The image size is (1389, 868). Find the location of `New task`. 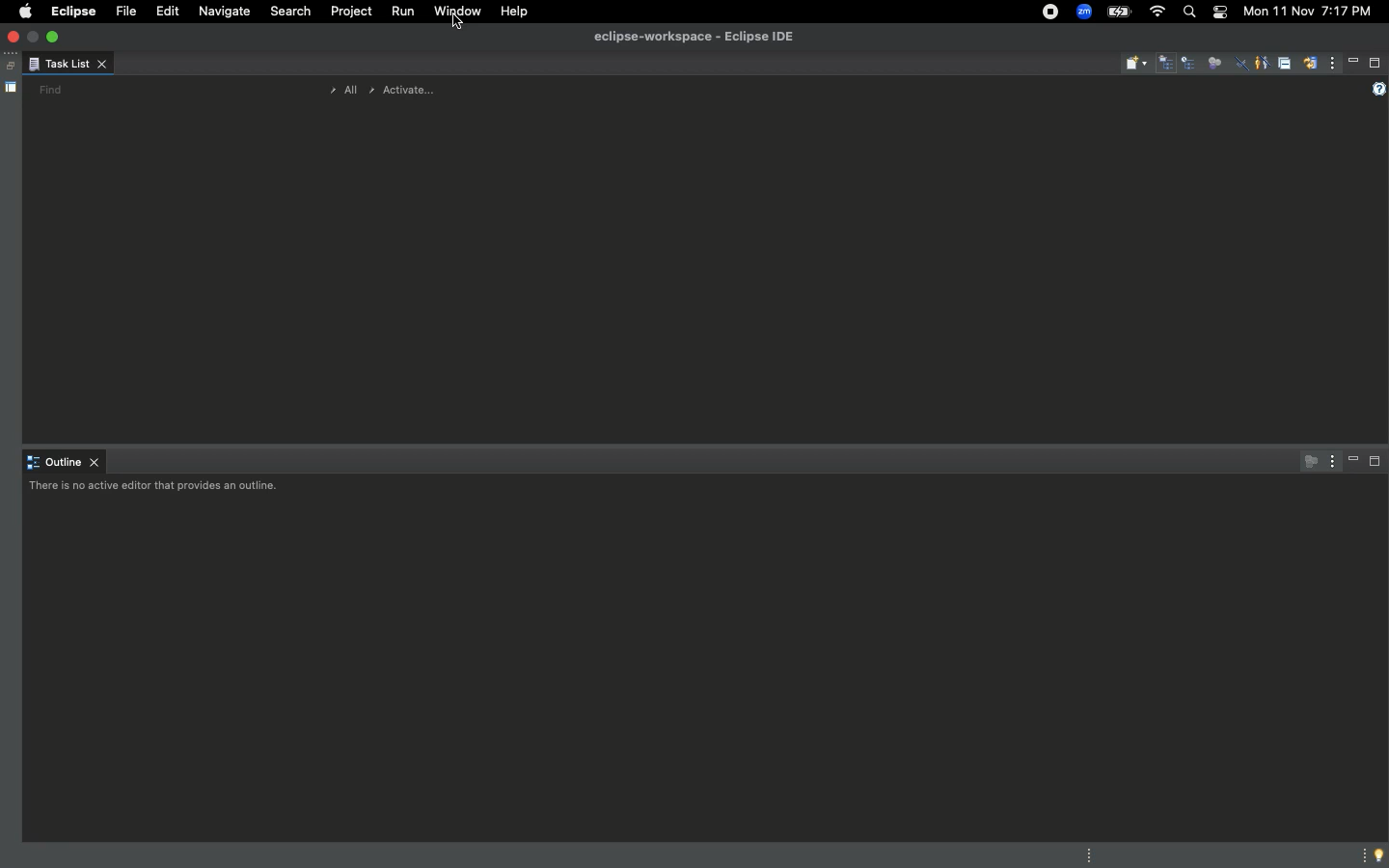

New task is located at coordinates (1136, 64).